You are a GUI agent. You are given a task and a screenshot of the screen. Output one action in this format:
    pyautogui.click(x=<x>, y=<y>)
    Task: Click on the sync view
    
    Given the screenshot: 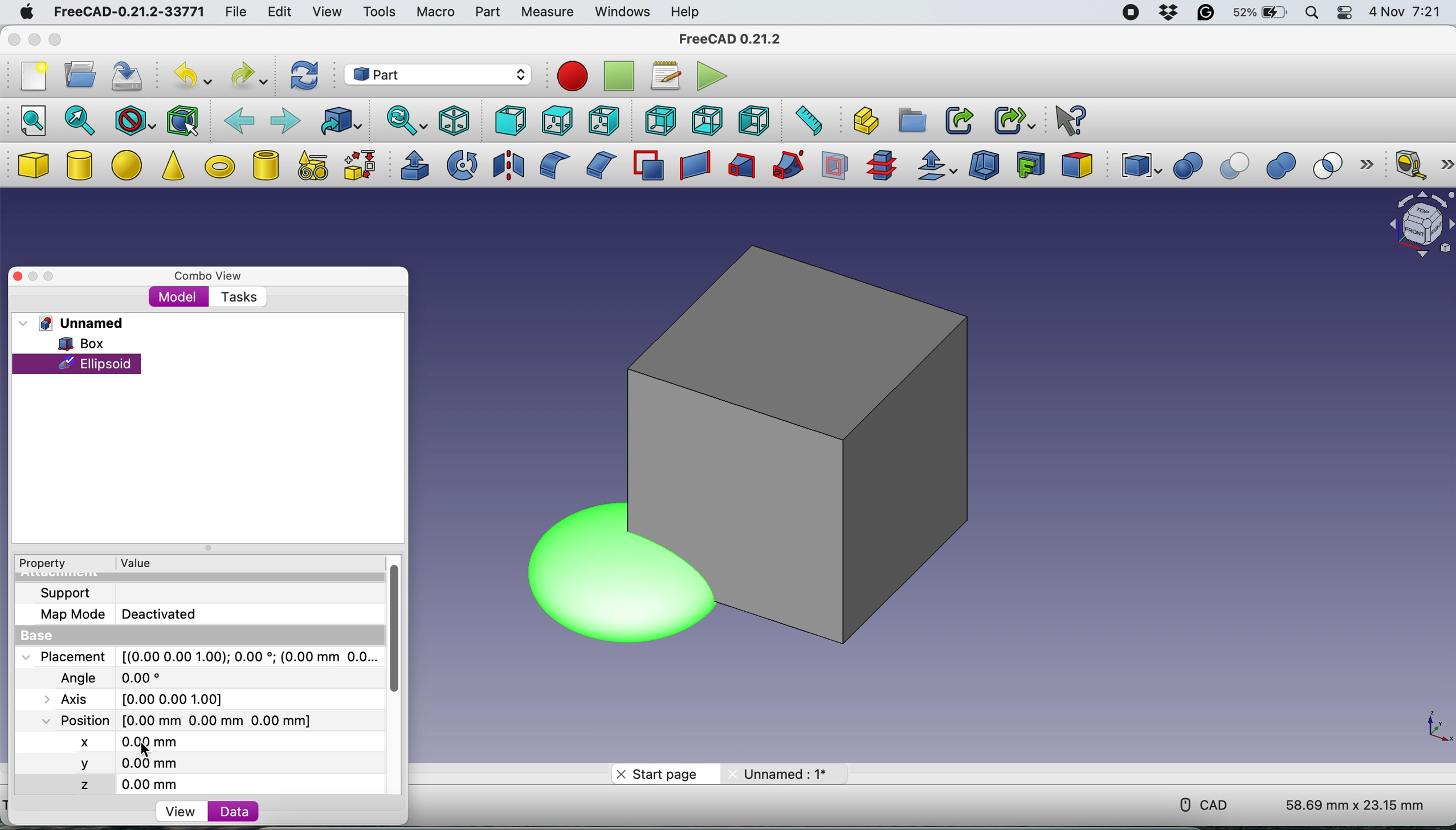 What is the action you would take?
    pyautogui.click(x=404, y=122)
    